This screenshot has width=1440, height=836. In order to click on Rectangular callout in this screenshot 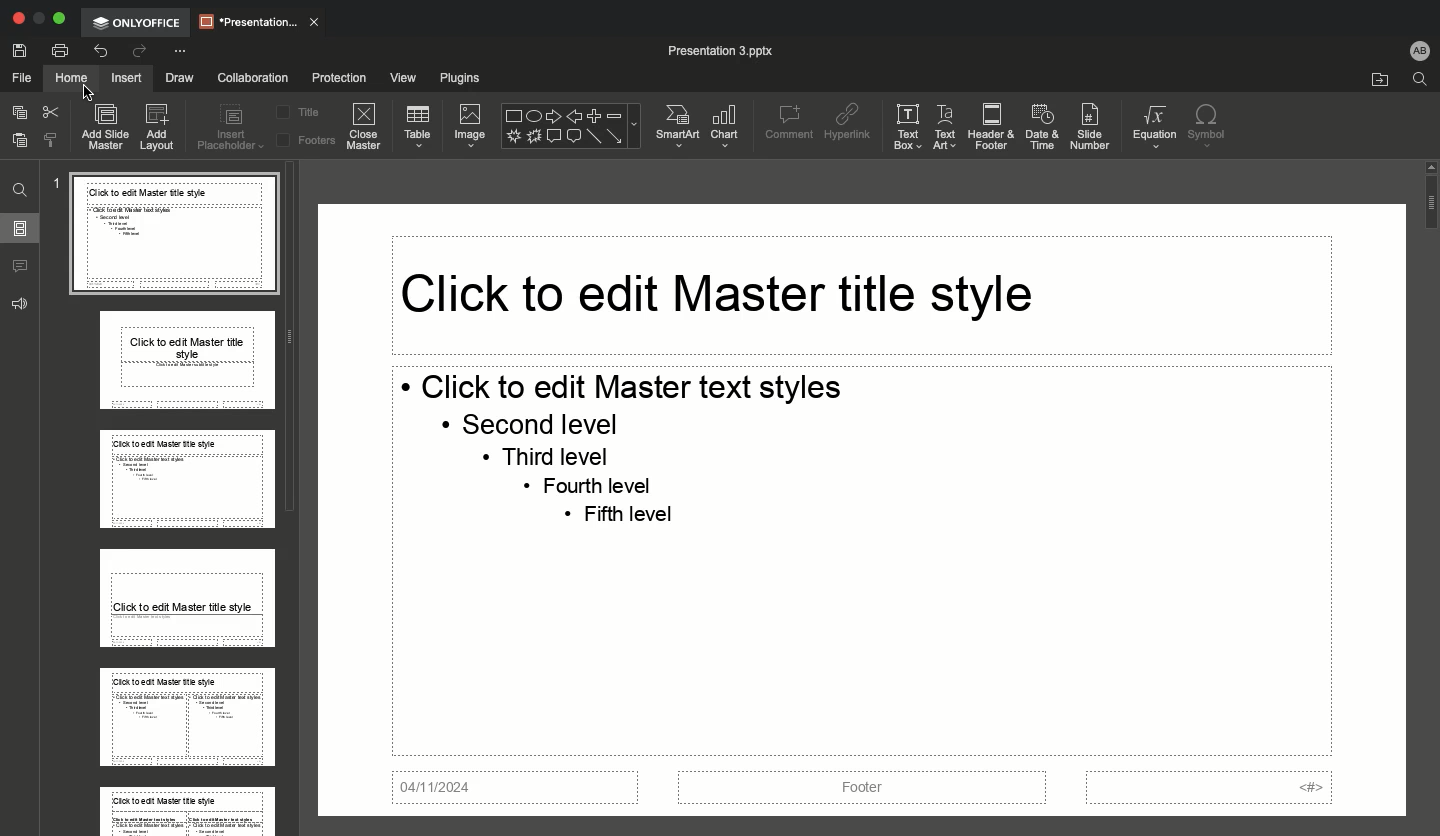, I will do `click(552, 137)`.